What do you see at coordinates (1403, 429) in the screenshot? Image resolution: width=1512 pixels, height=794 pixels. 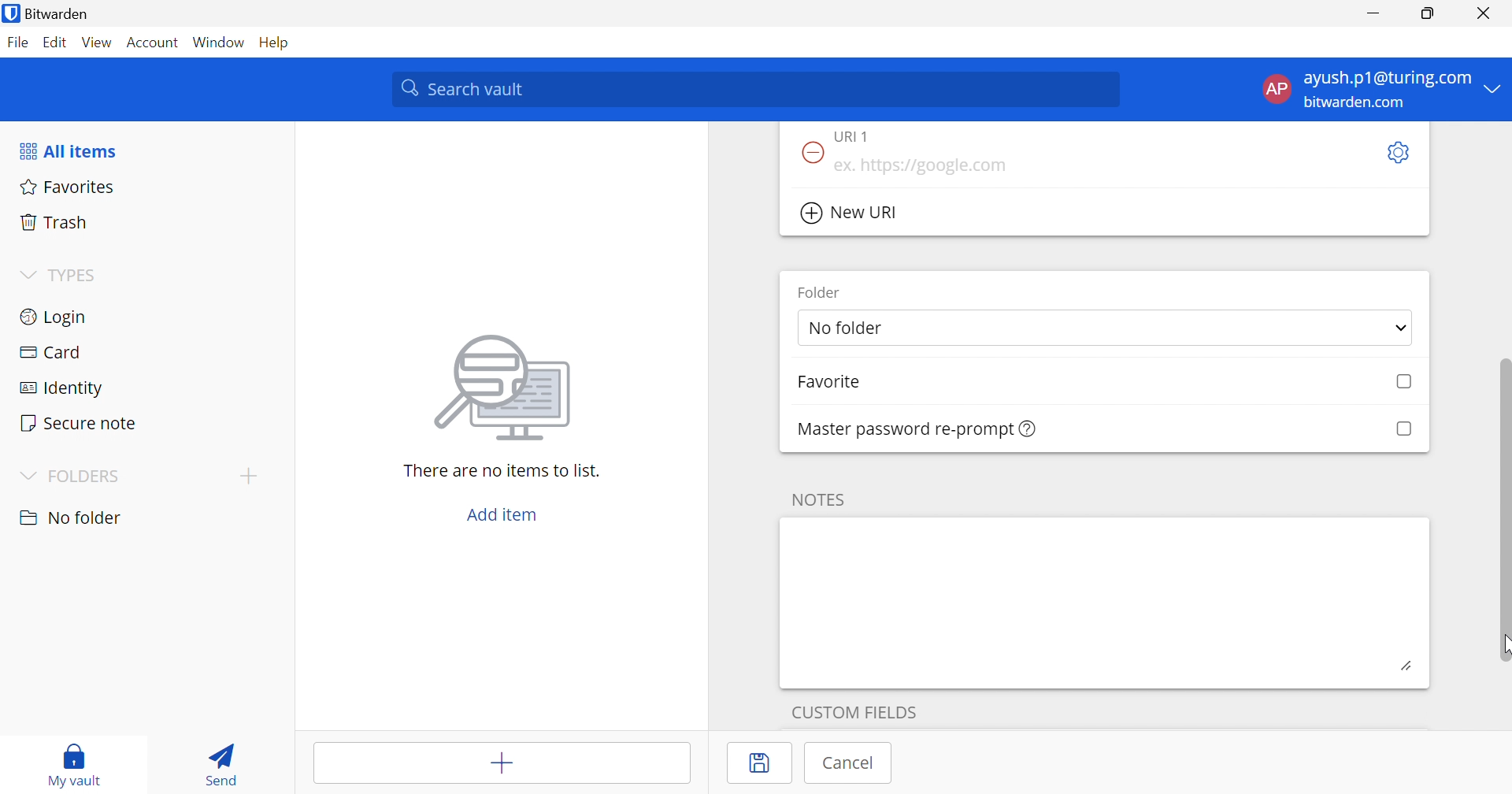 I see `Checkbox` at bounding box center [1403, 429].